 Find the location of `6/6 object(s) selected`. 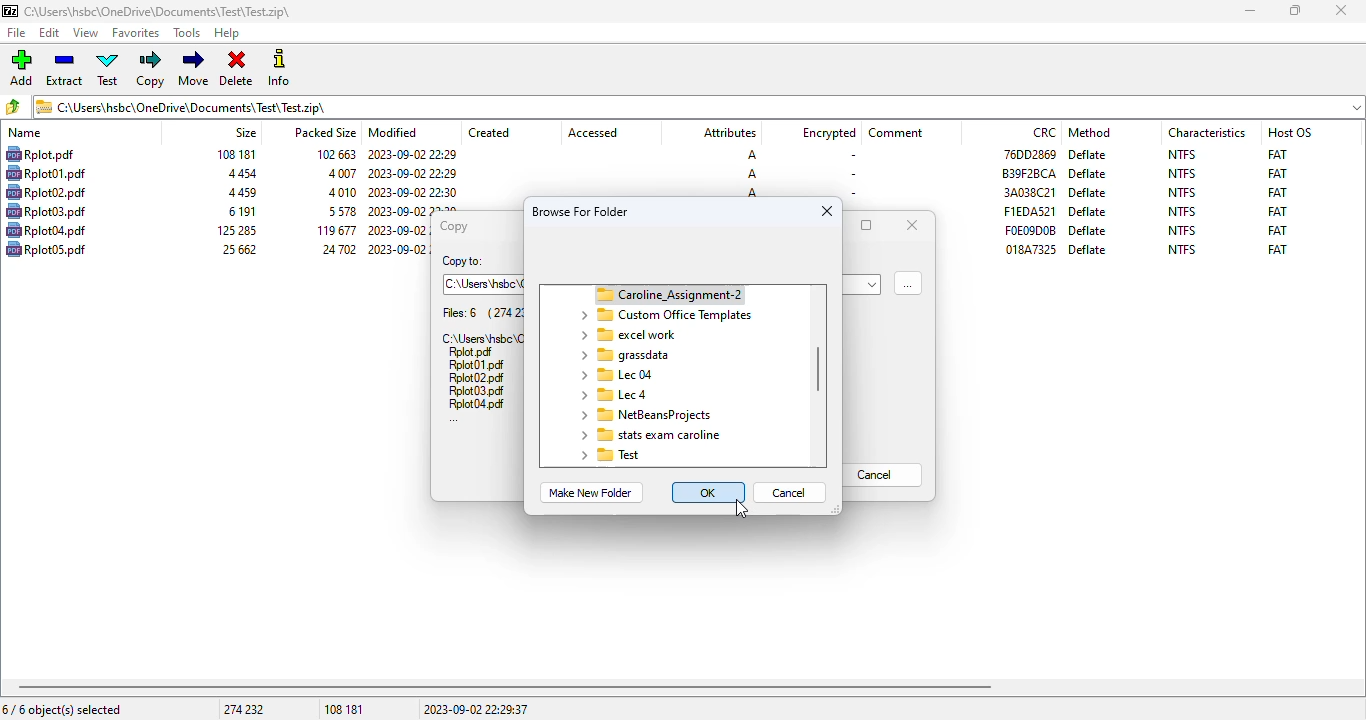

6/6 object(s) selected is located at coordinates (62, 709).